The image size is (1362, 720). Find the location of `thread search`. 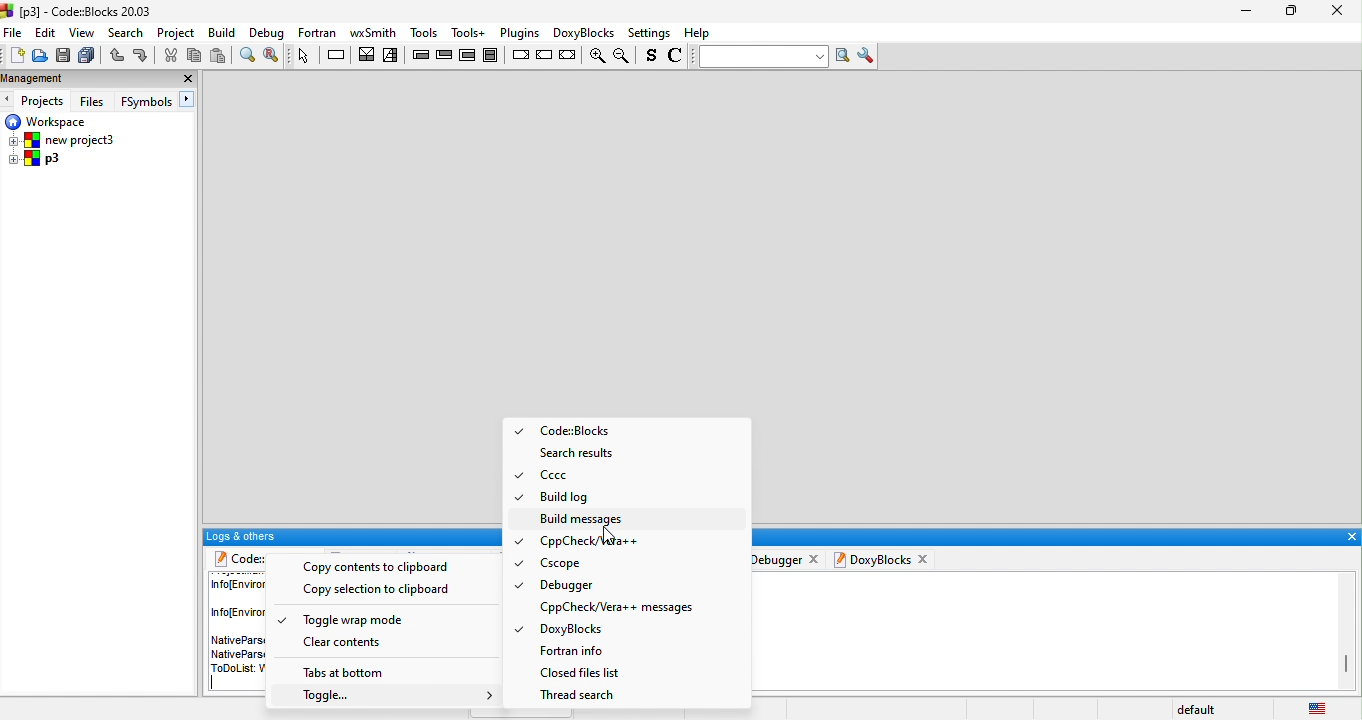

thread search is located at coordinates (585, 696).